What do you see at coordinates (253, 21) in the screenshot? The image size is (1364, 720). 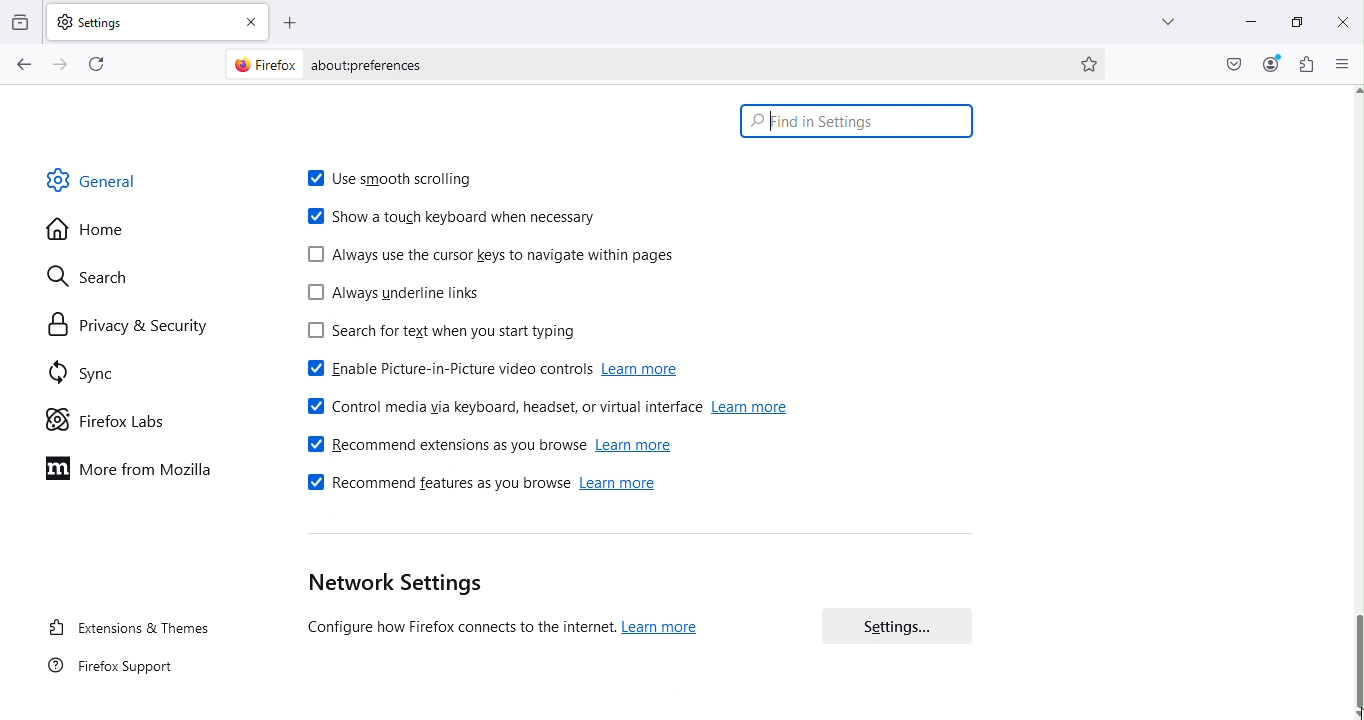 I see `Close tab` at bounding box center [253, 21].